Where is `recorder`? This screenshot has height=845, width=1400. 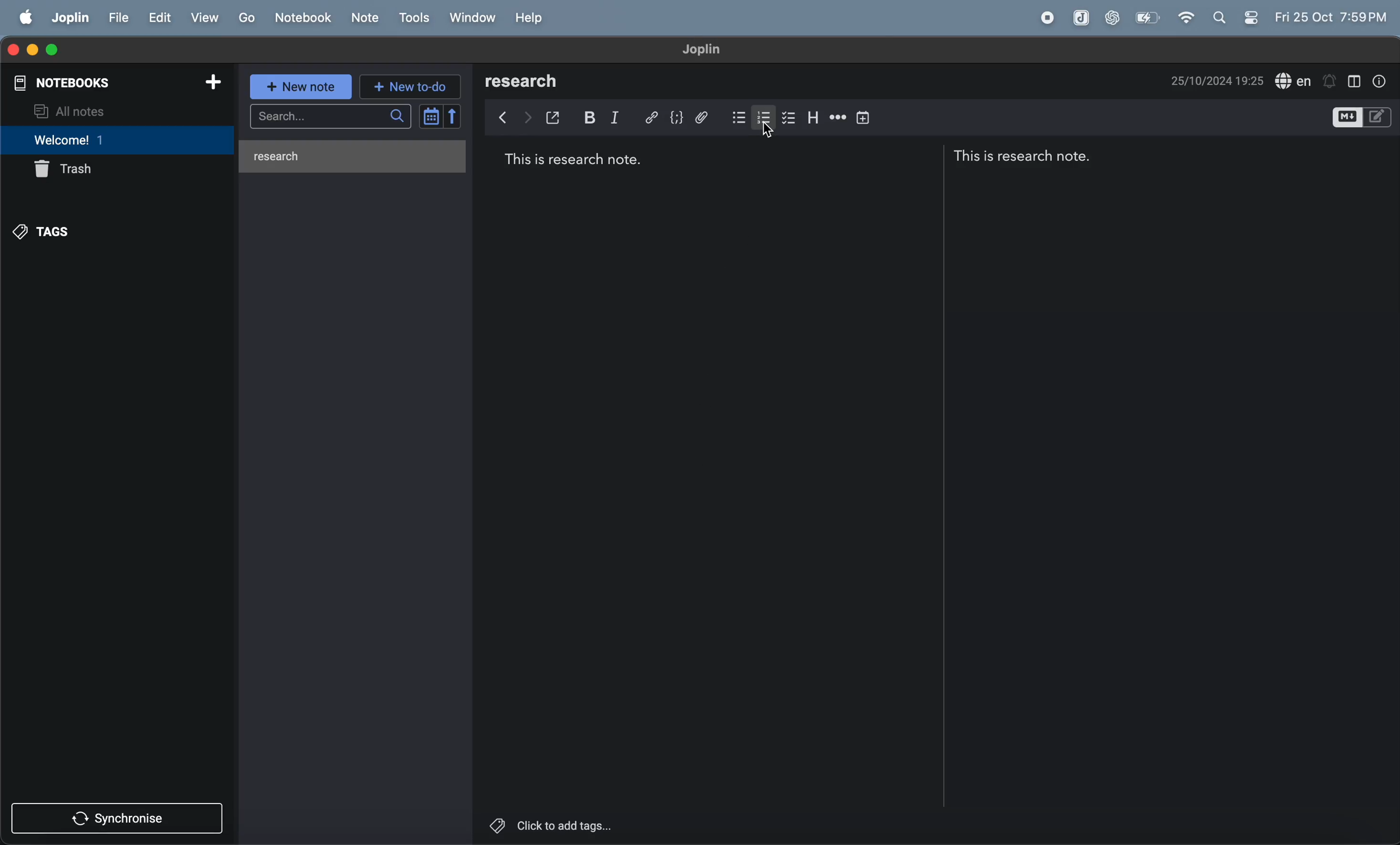 recorder is located at coordinates (1041, 17).